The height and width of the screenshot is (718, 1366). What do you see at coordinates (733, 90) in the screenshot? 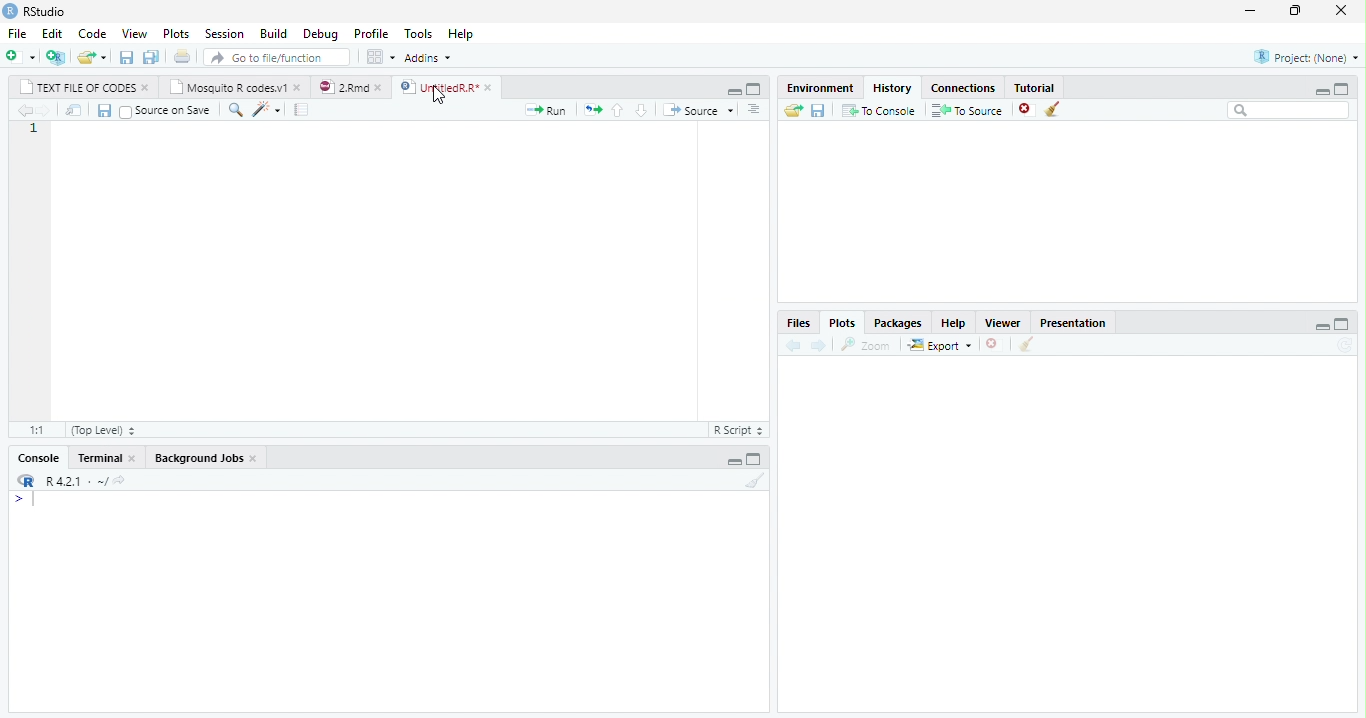
I see `minimize` at bounding box center [733, 90].